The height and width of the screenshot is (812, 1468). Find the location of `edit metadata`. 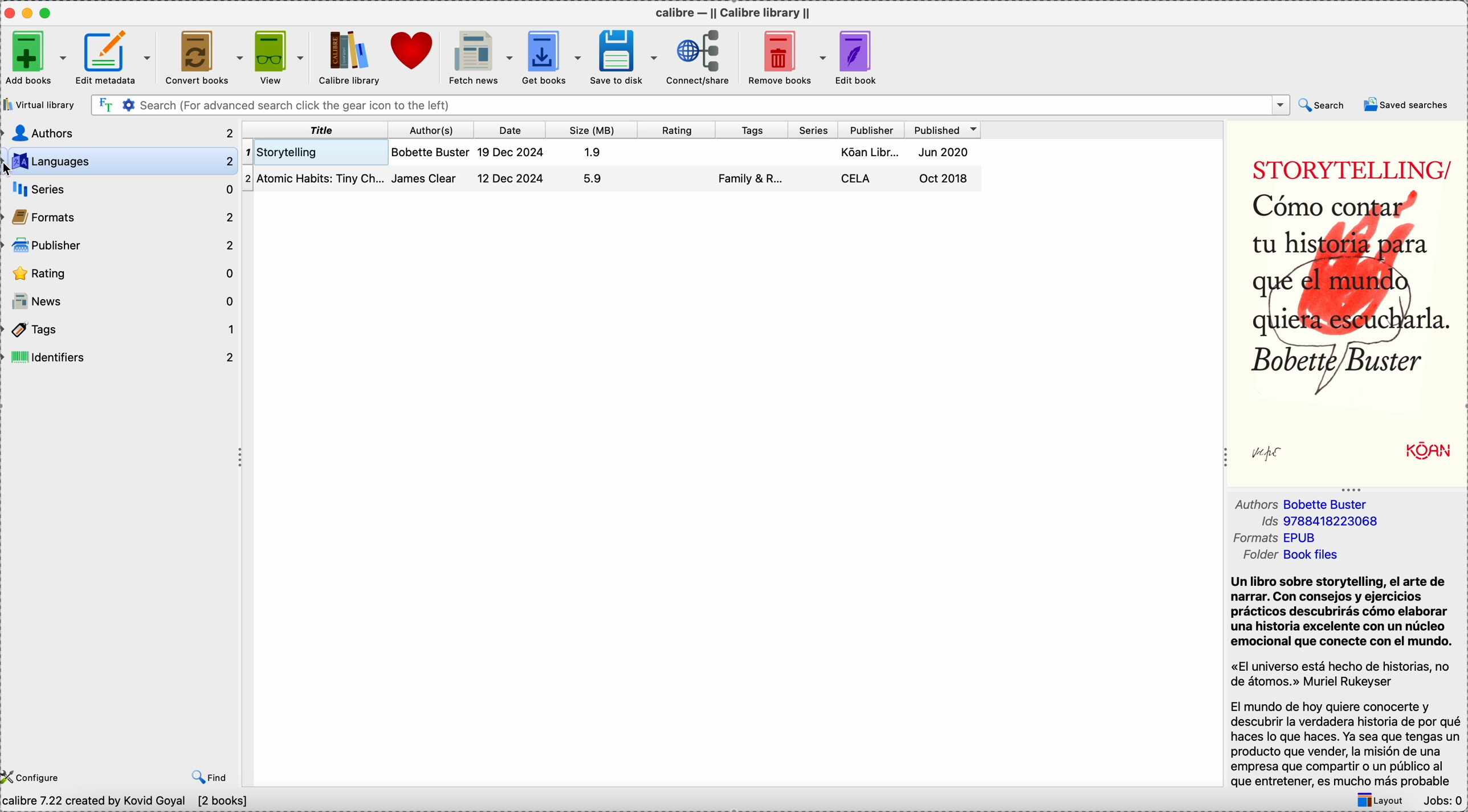

edit metadata is located at coordinates (113, 58).